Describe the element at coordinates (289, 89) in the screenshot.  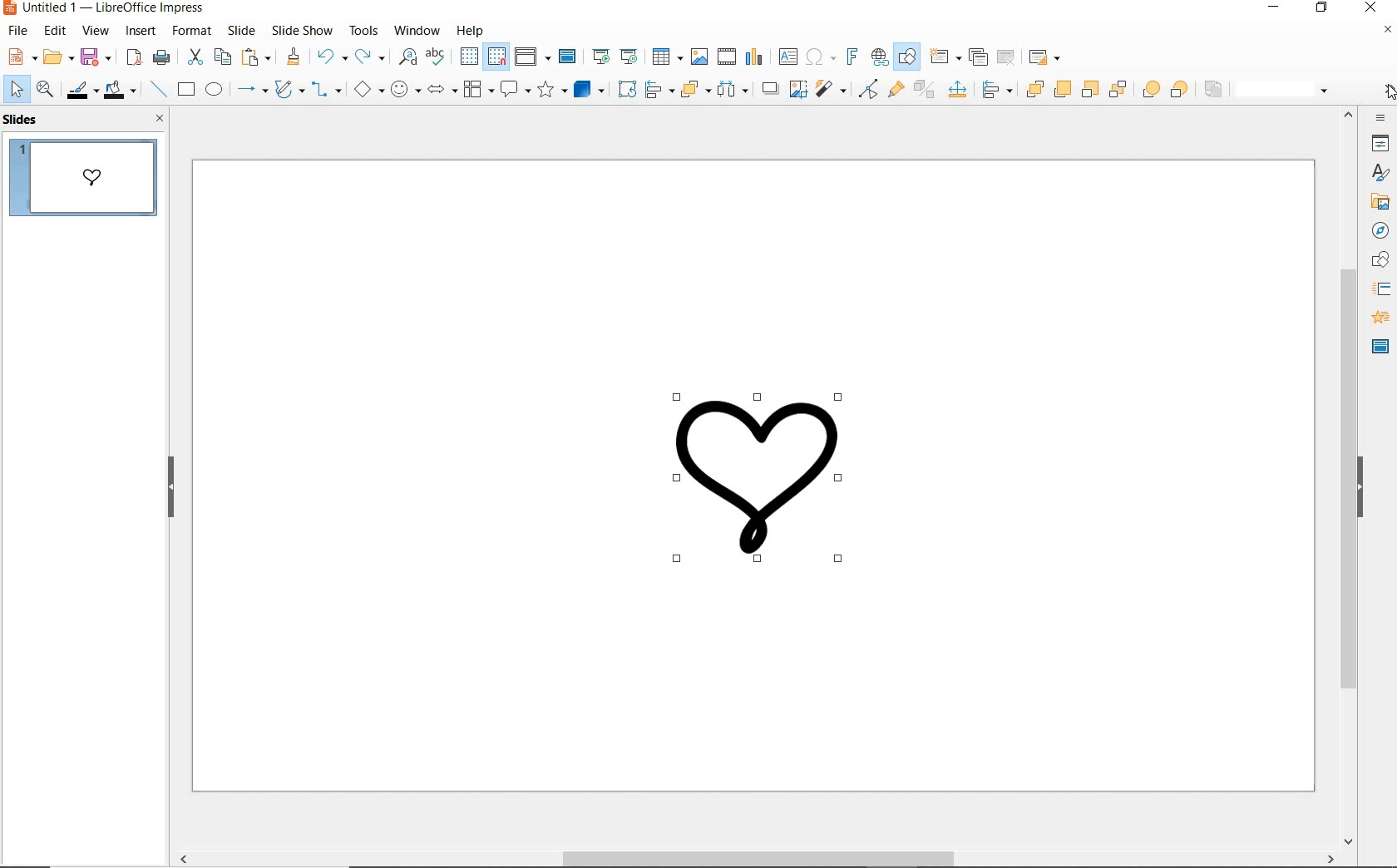
I see `curves & polygons` at that location.